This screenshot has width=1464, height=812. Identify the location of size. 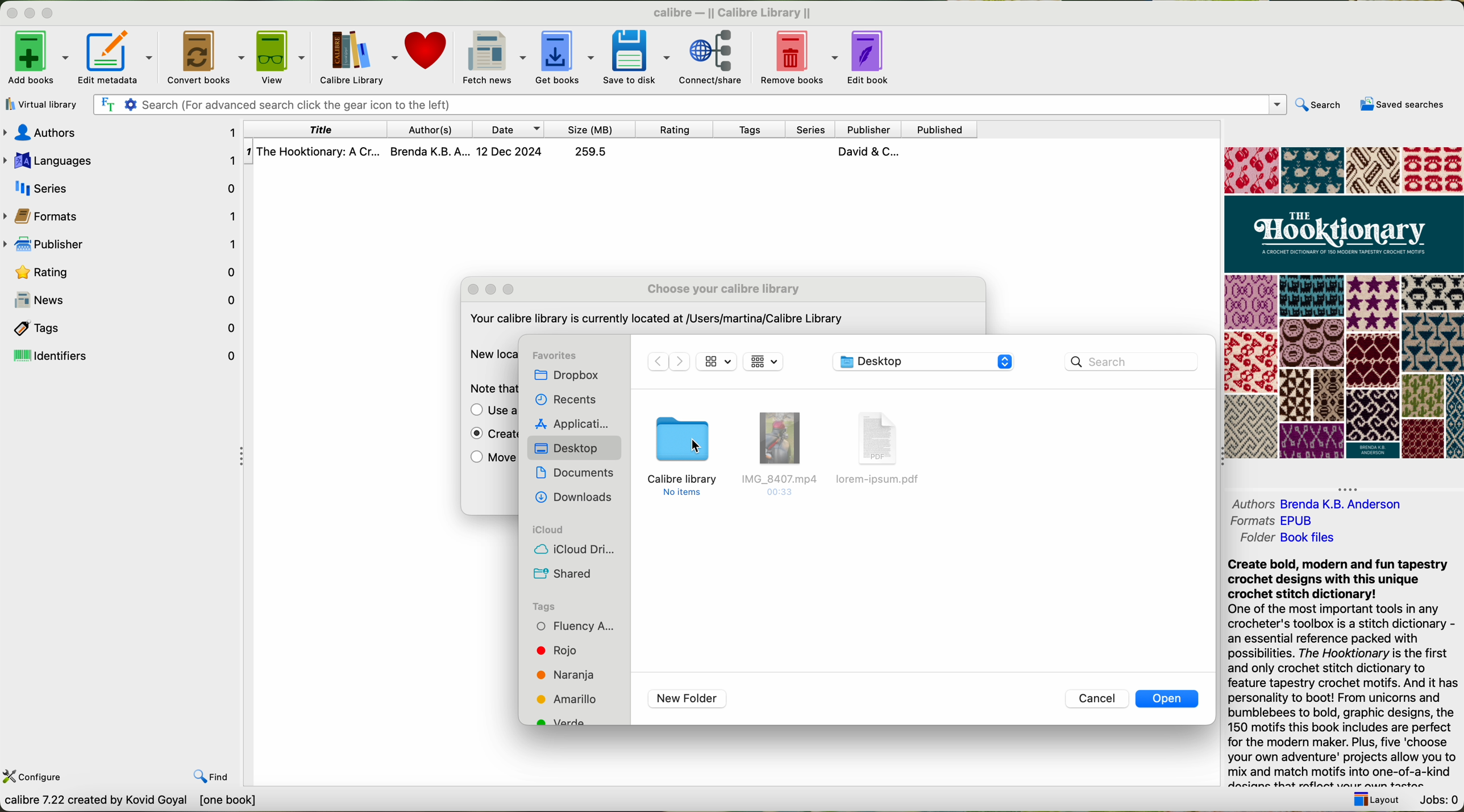
(594, 129).